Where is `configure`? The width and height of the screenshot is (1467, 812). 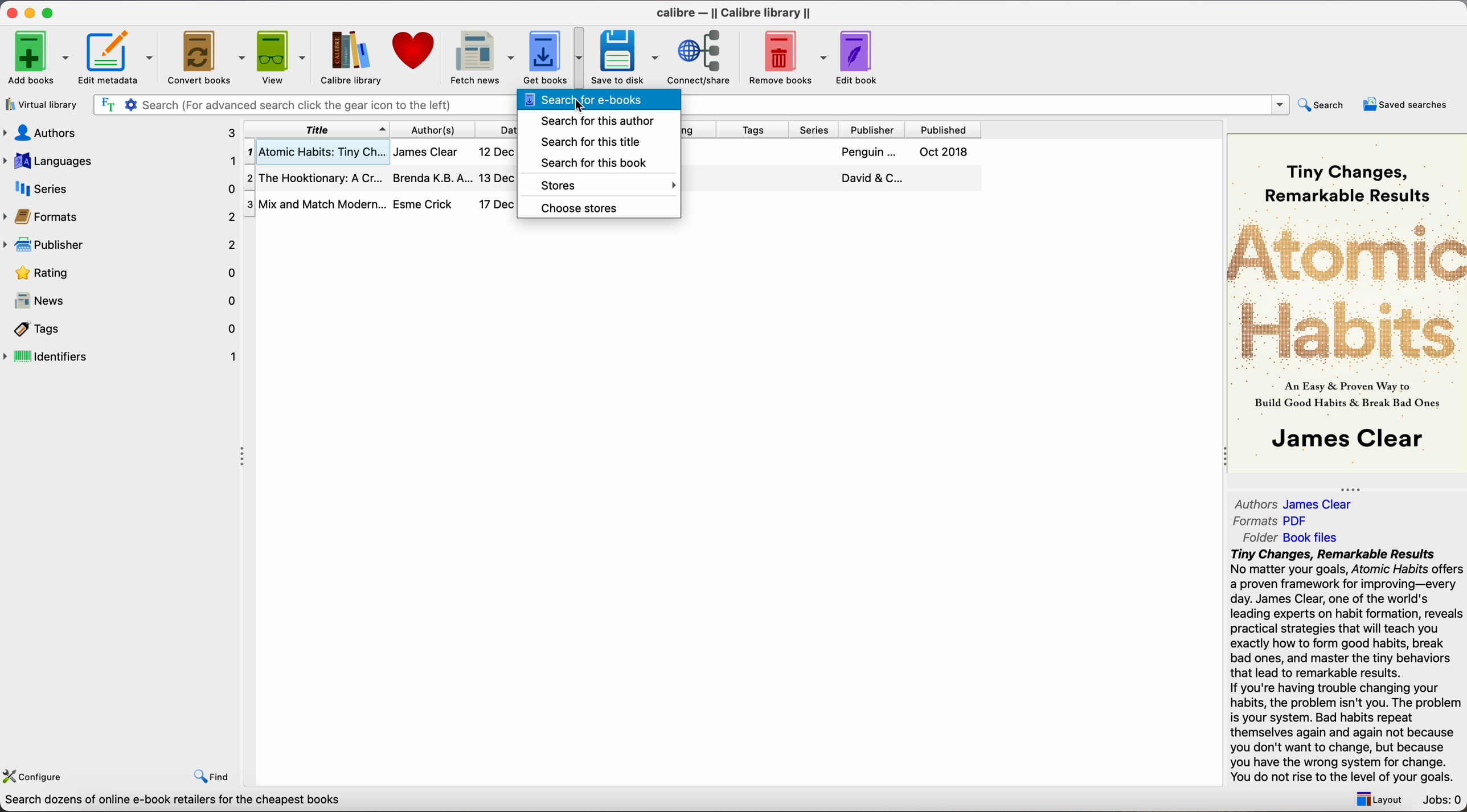
configure is located at coordinates (36, 774).